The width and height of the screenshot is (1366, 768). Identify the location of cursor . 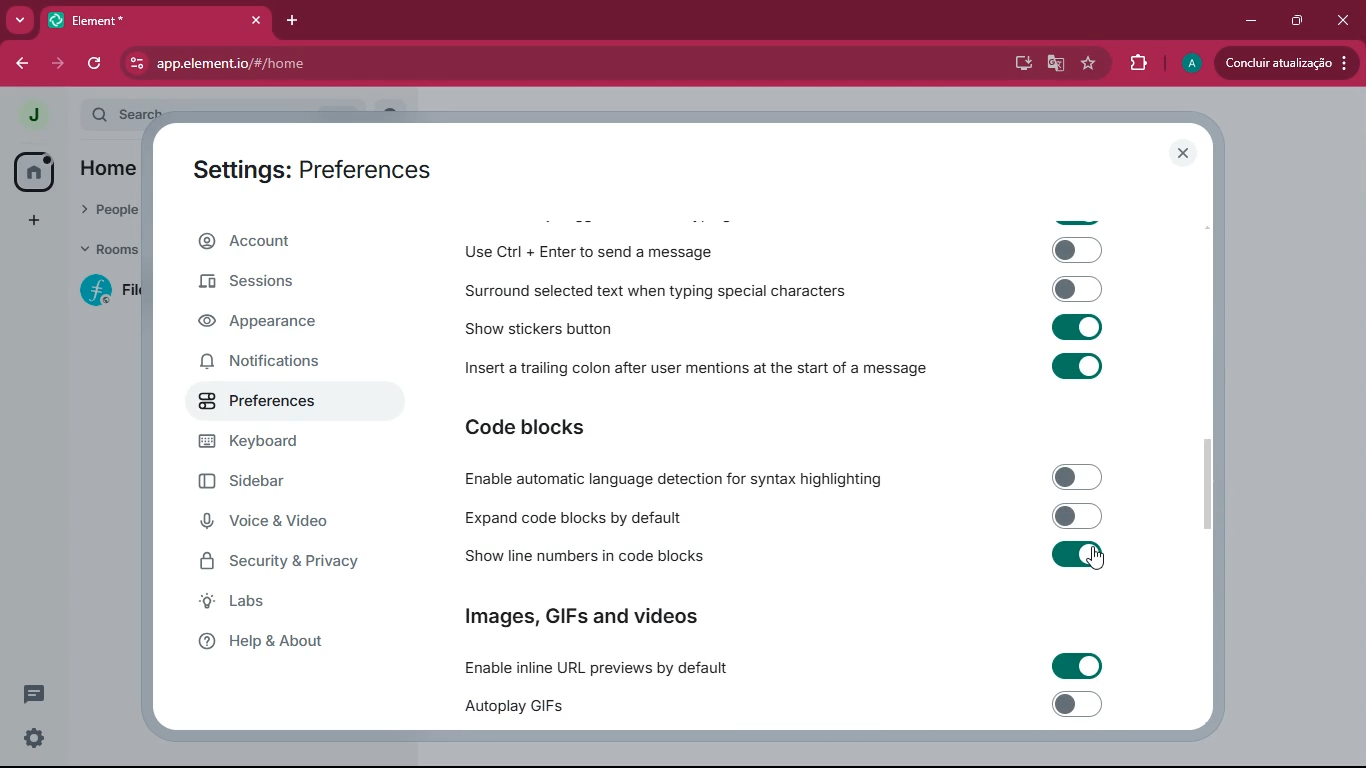
(1100, 560).